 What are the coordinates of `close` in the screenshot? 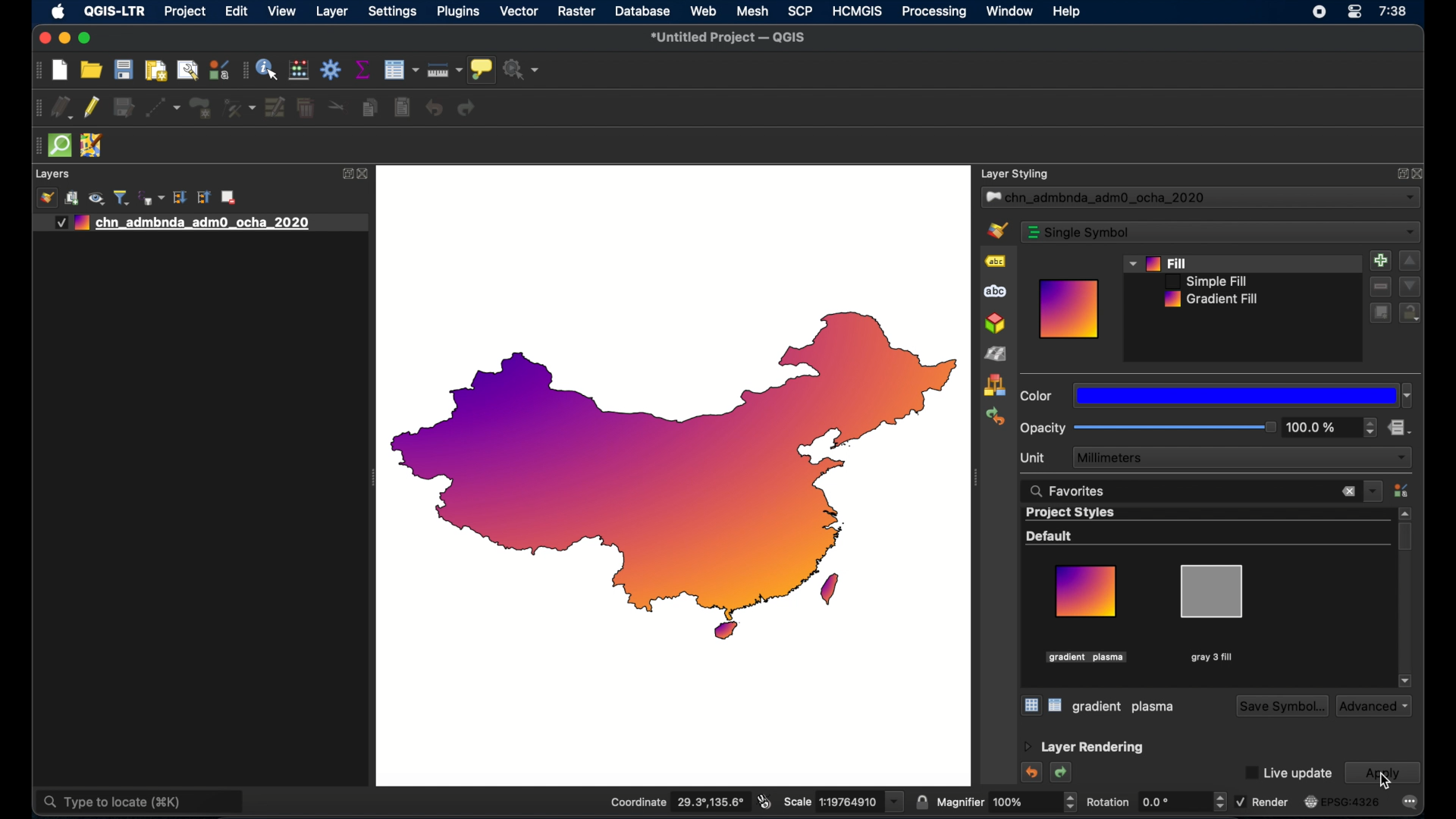 It's located at (1418, 174).